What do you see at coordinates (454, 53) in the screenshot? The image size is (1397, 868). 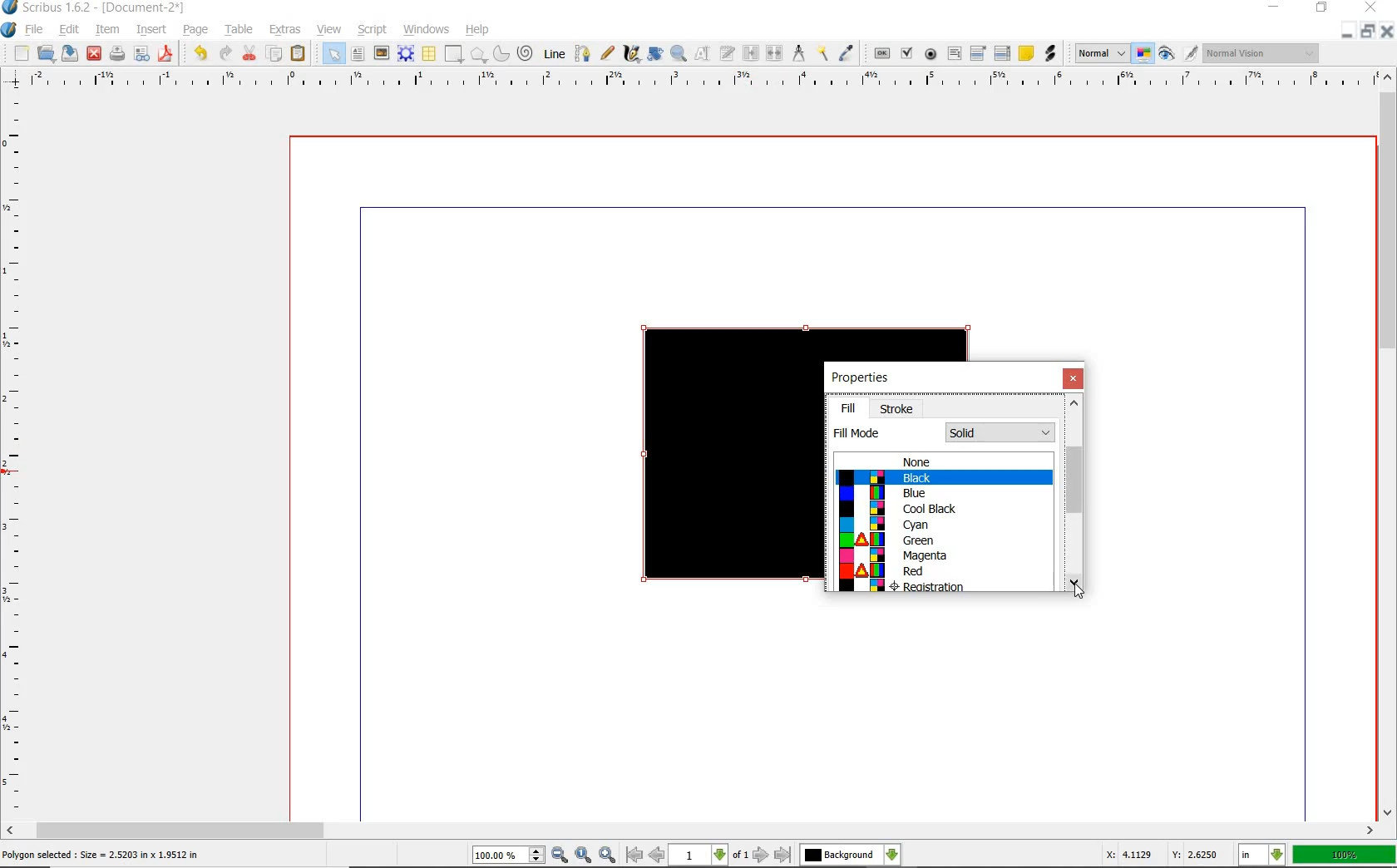 I see `shape` at bounding box center [454, 53].